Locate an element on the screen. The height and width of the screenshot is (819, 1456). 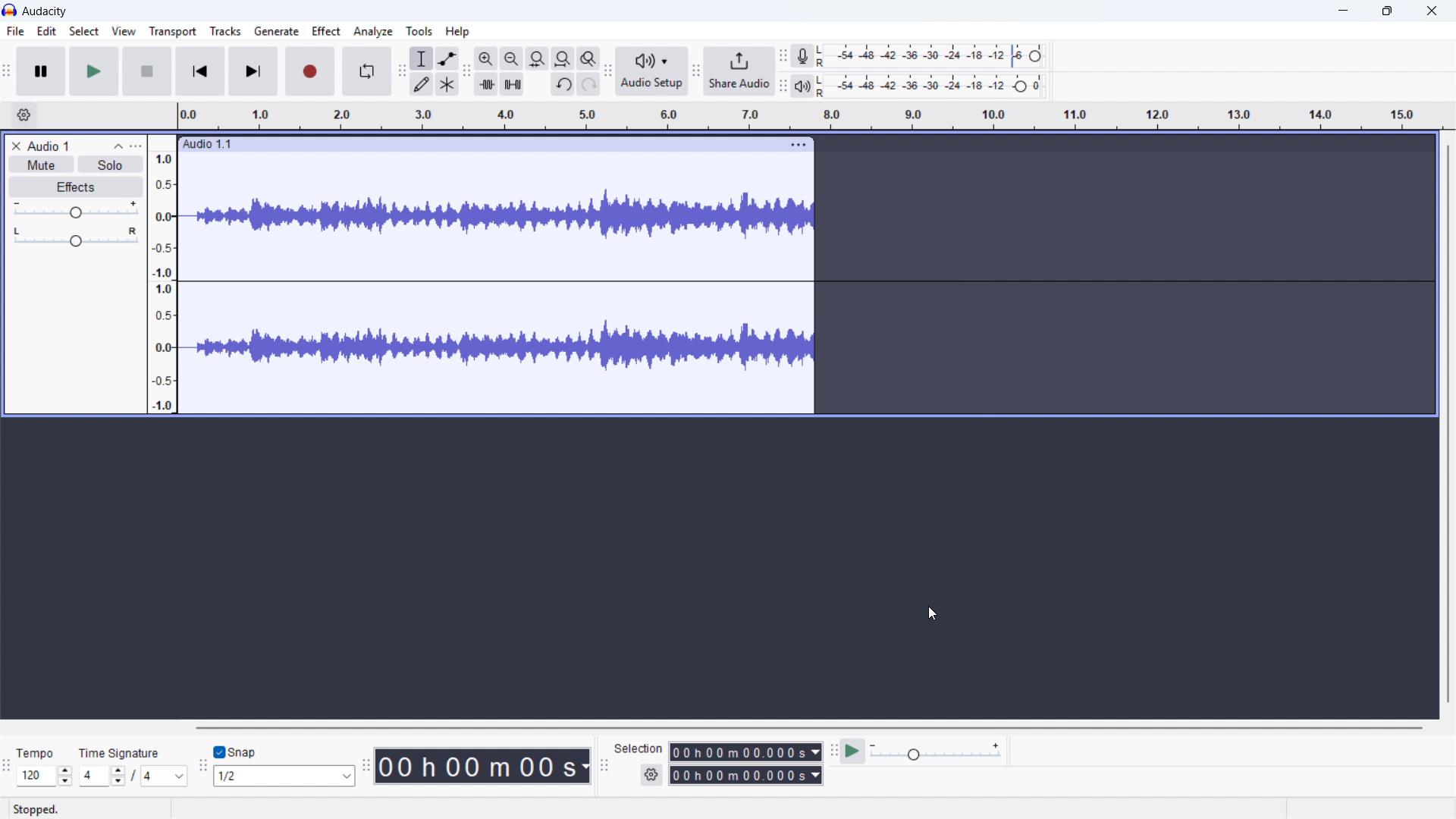
Silence audio selection  is located at coordinates (513, 84).